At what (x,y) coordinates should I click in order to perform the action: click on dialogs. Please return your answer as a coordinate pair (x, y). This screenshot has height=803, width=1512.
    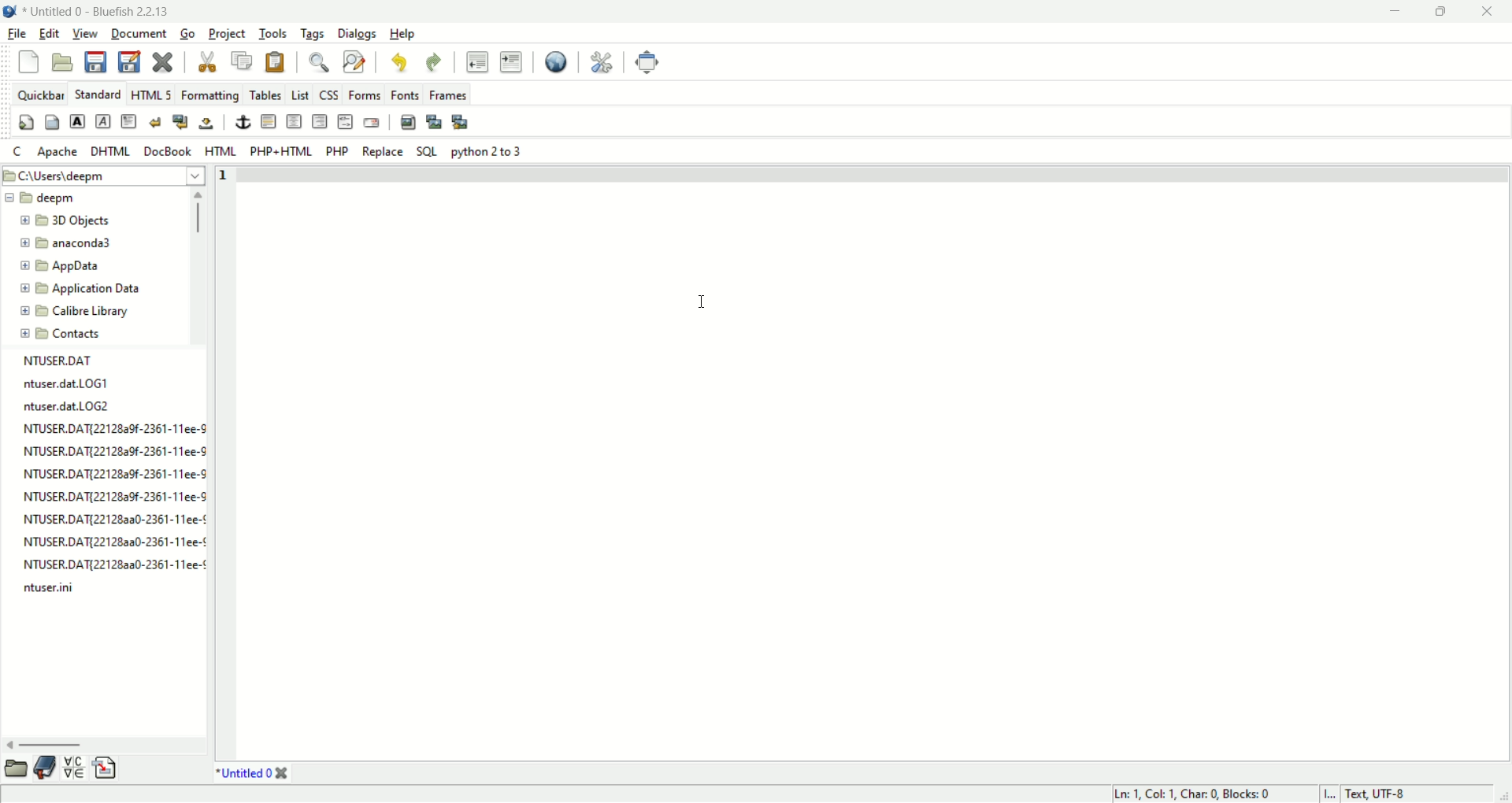
    Looking at the image, I should click on (362, 35).